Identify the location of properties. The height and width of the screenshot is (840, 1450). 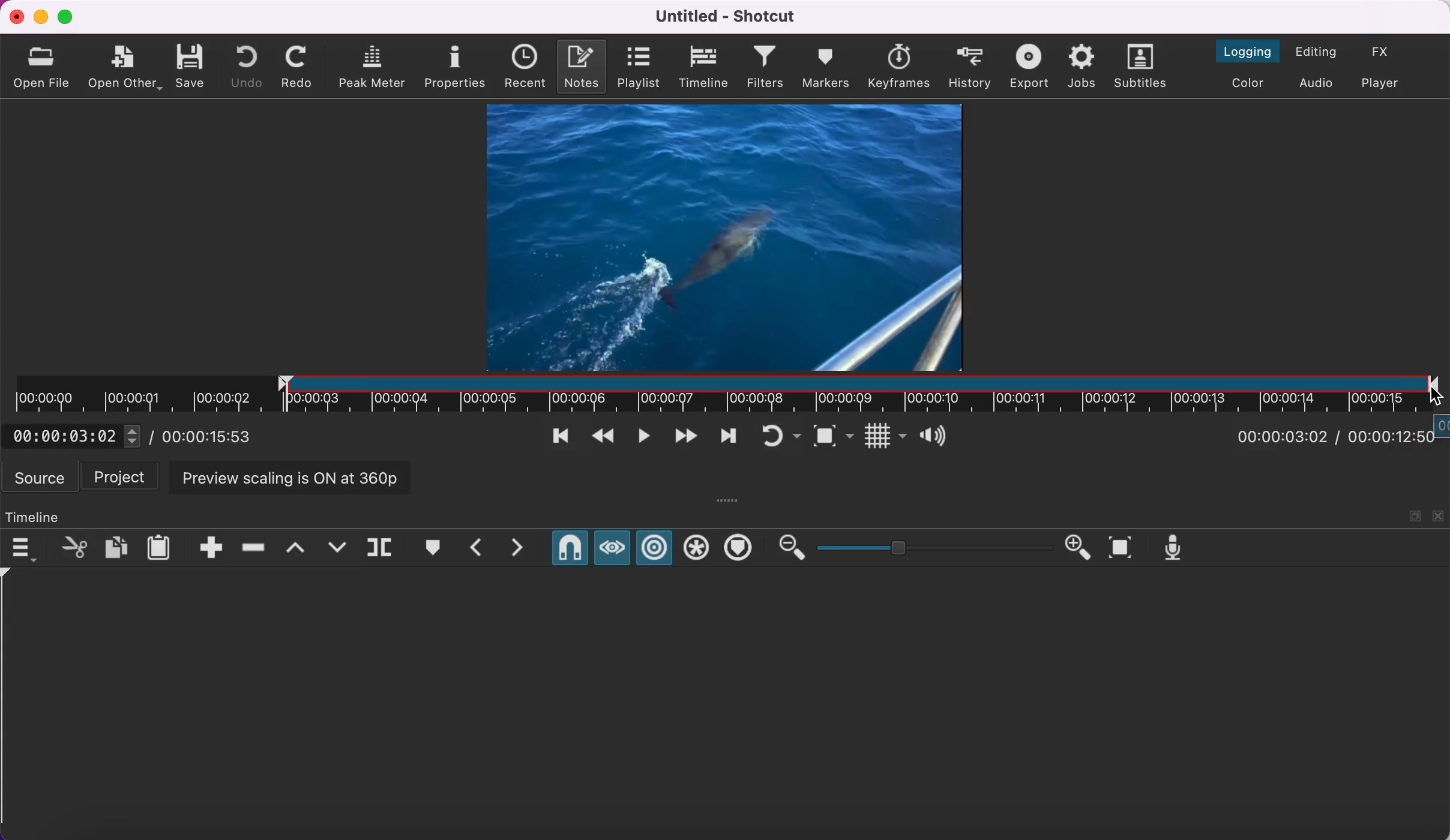
(456, 65).